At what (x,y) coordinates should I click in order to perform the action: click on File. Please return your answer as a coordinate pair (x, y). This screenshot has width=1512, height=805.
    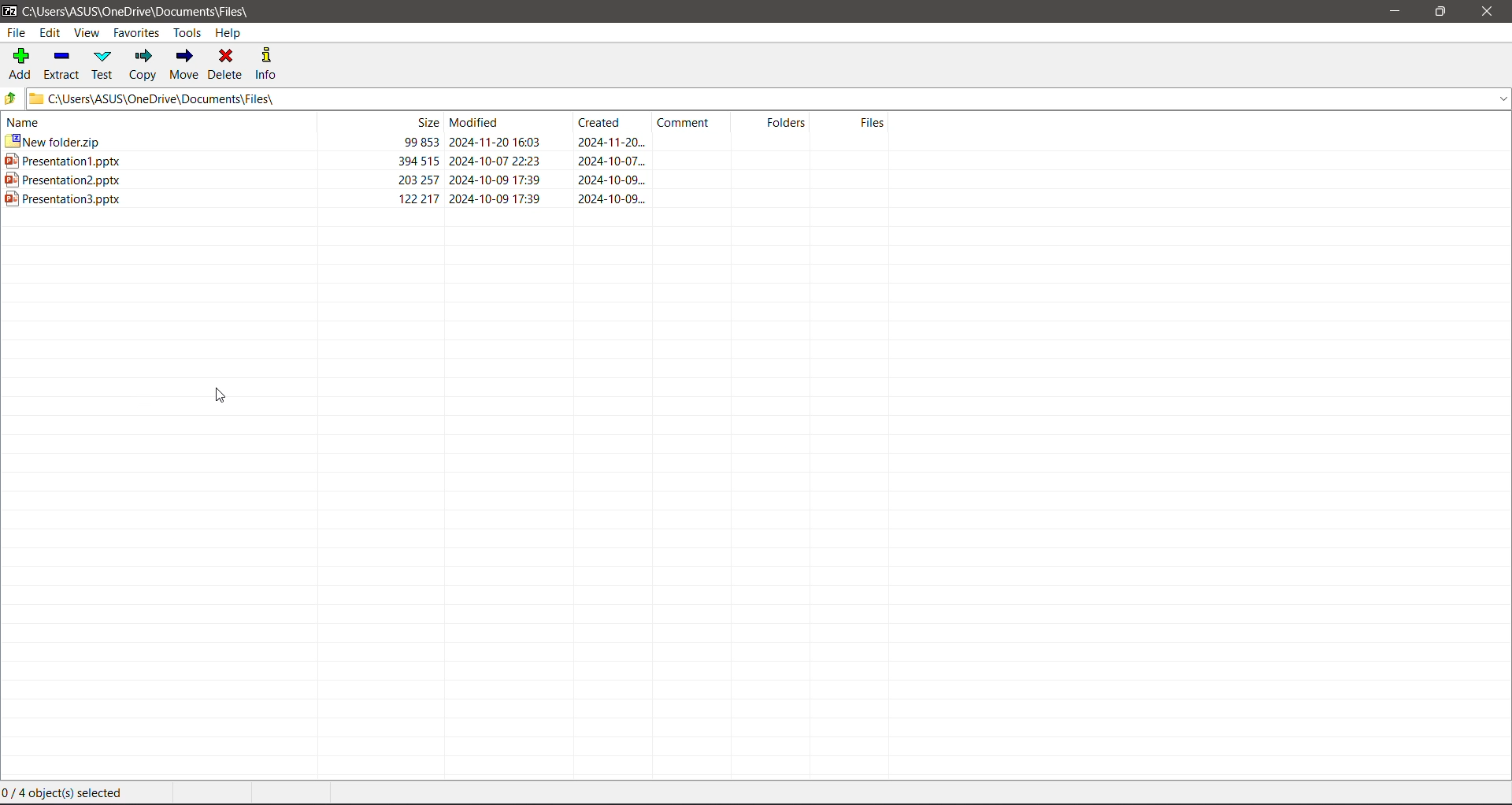
    Looking at the image, I should click on (16, 32).